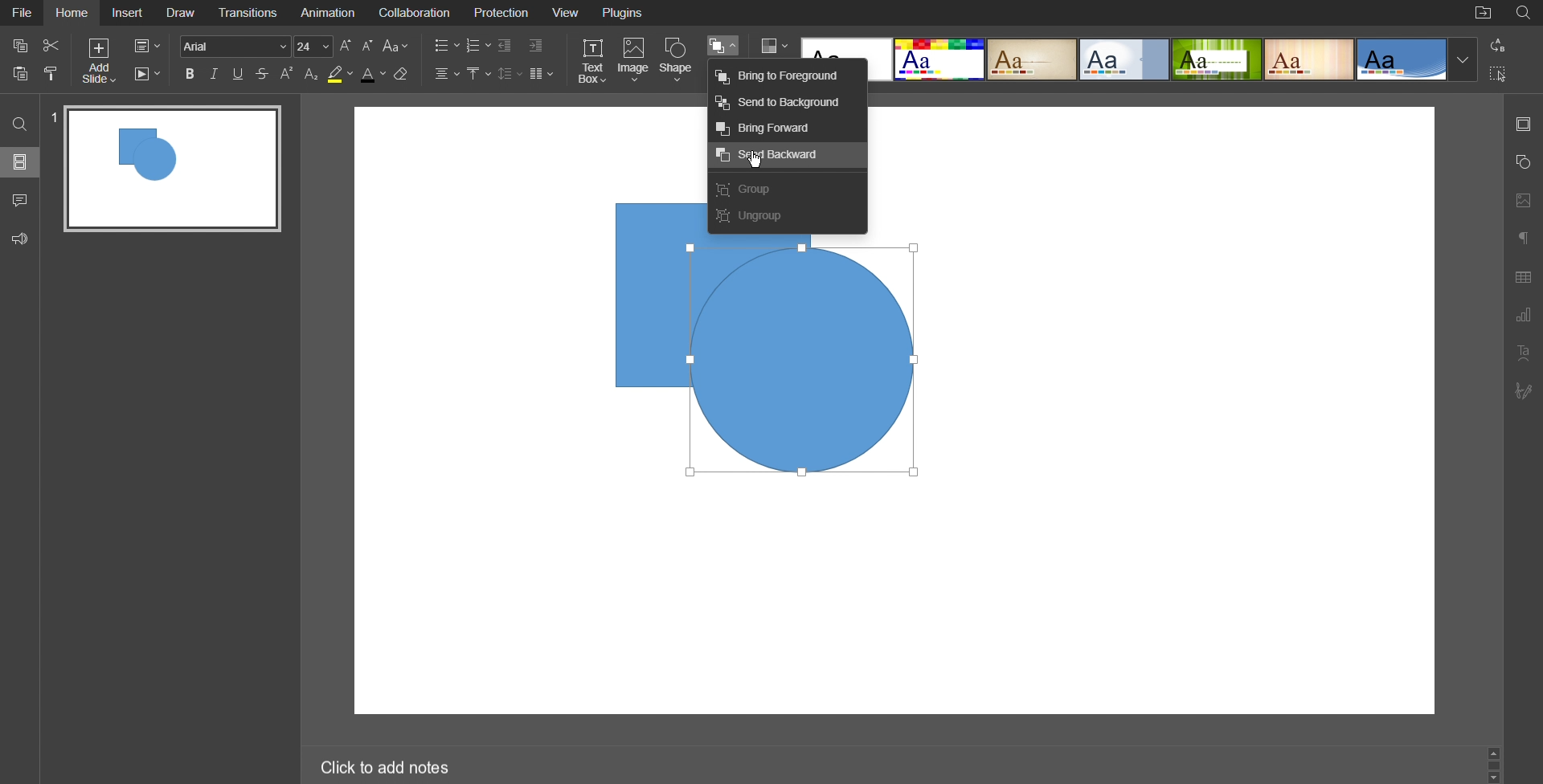 This screenshot has height=784, width=1543. Describe the element at coordinates (239, 74) in the screenshot. I see `Underline` at that location.